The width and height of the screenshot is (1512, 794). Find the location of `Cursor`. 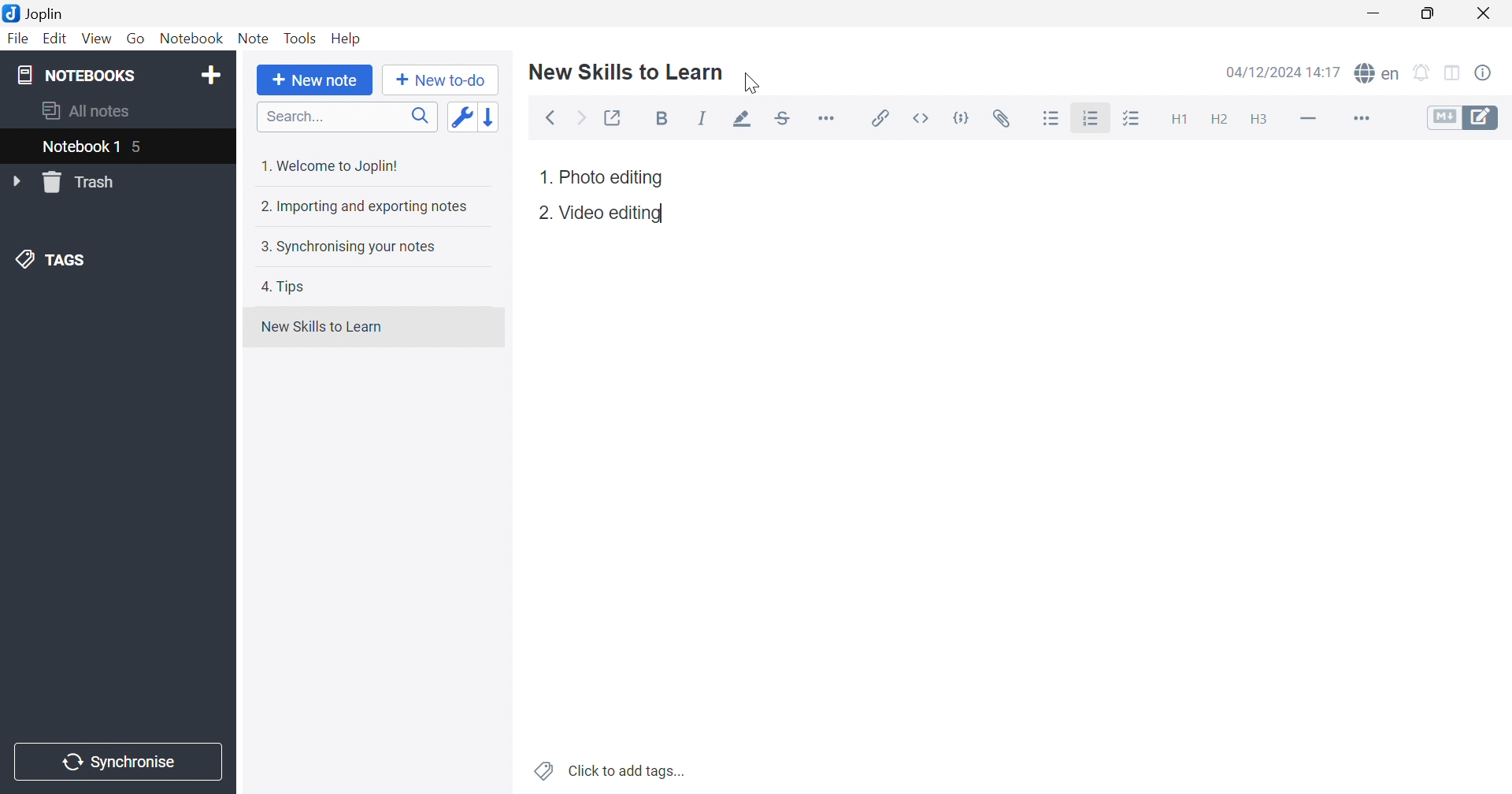

Cursor is located at coordinates (751, 84).